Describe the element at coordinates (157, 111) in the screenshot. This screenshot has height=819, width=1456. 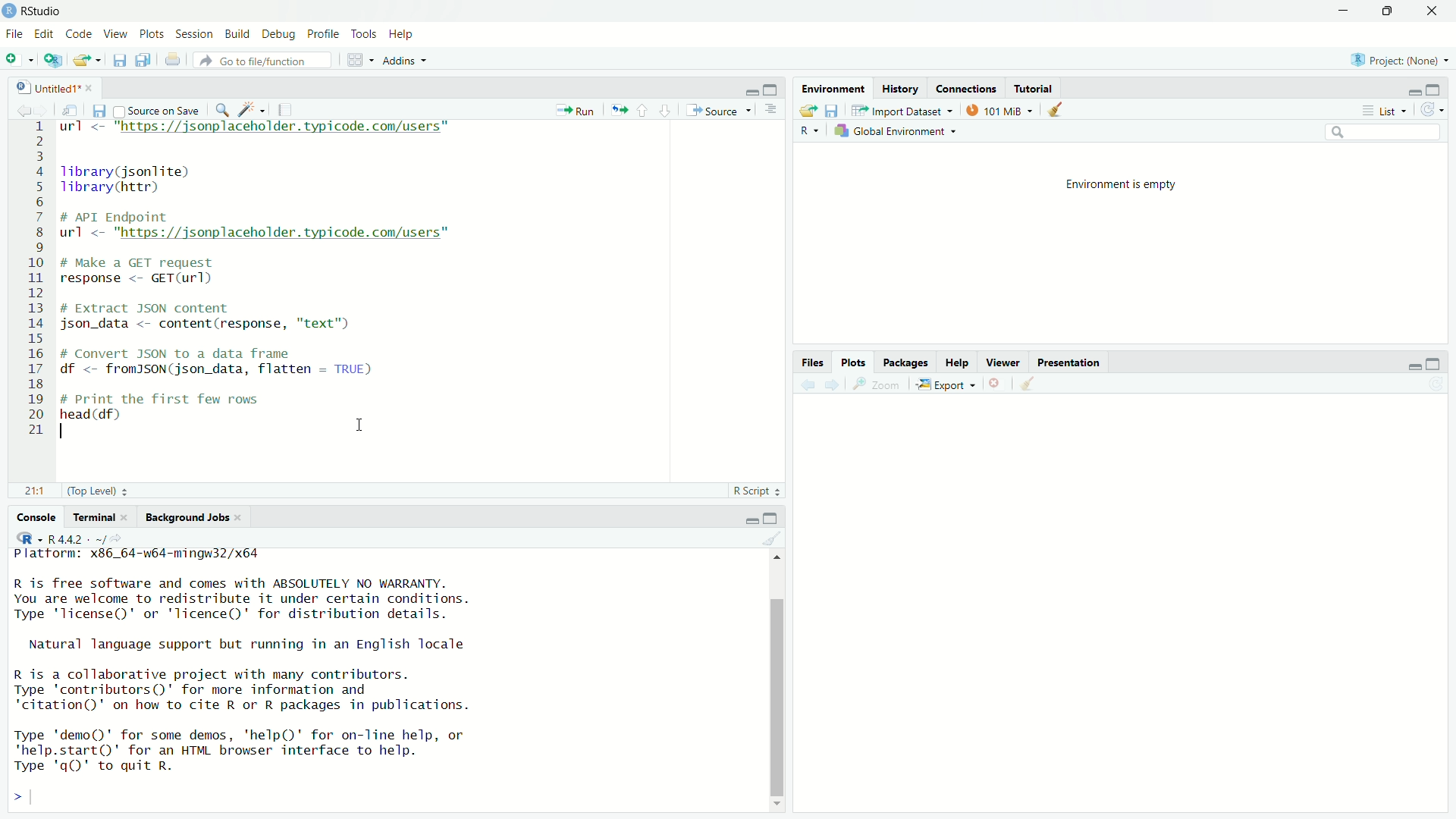
I see `Source on Save` at that location.